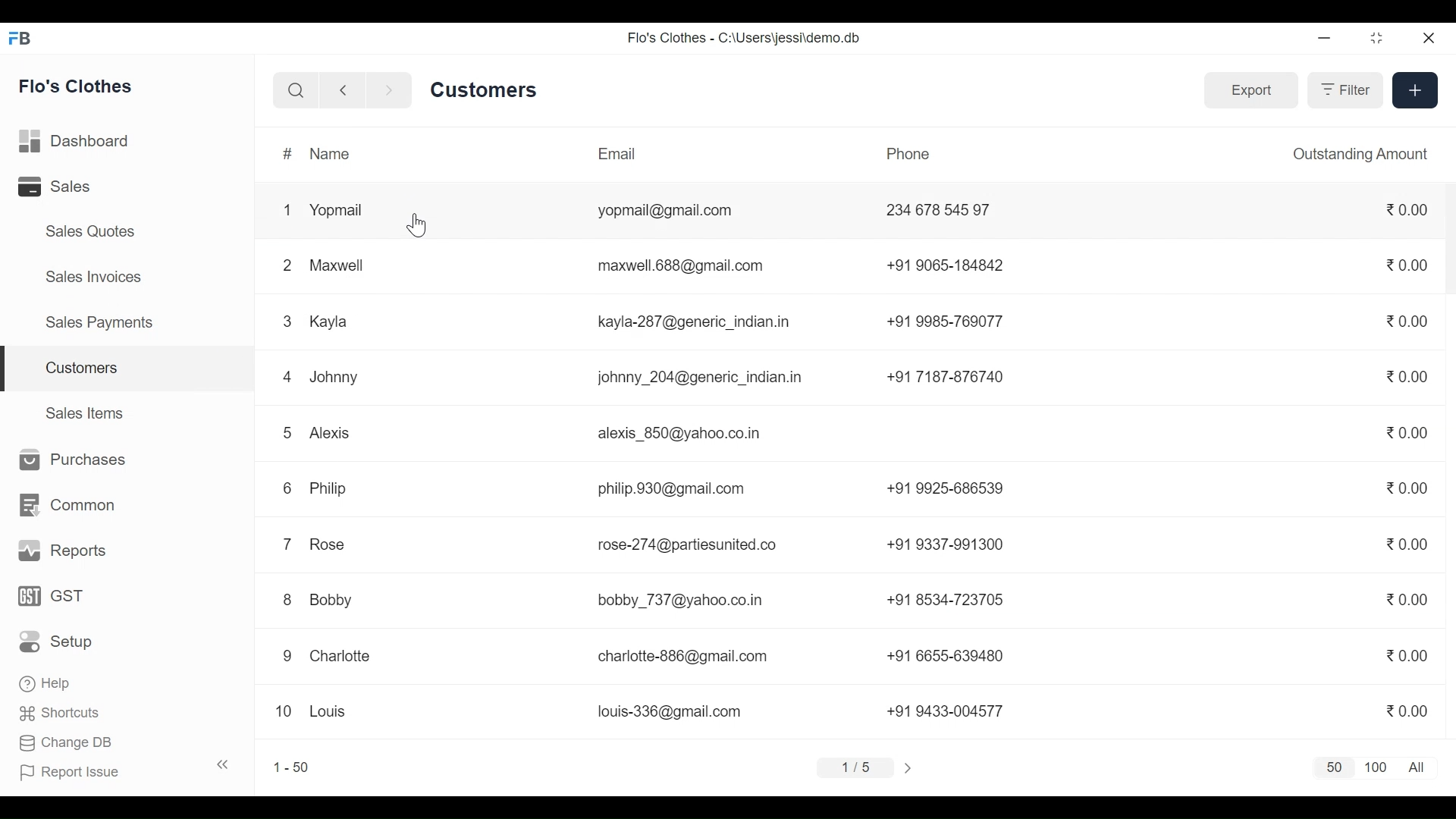 Image resolution: width=1456 pixels, height=819 pixels. Describe the element at coordinates (1406, 489) in the screenshot. I see `0.00` at that location.